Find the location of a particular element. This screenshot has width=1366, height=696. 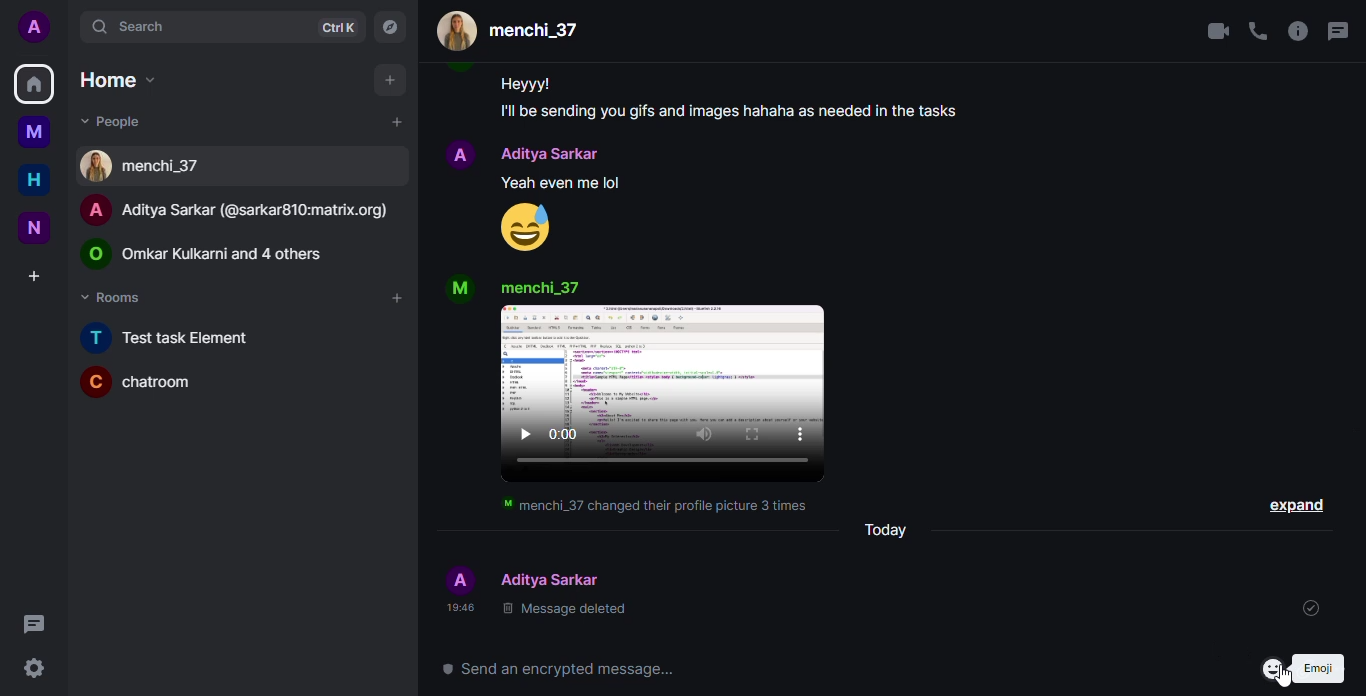

navigator is located at coordinates (389, 27).